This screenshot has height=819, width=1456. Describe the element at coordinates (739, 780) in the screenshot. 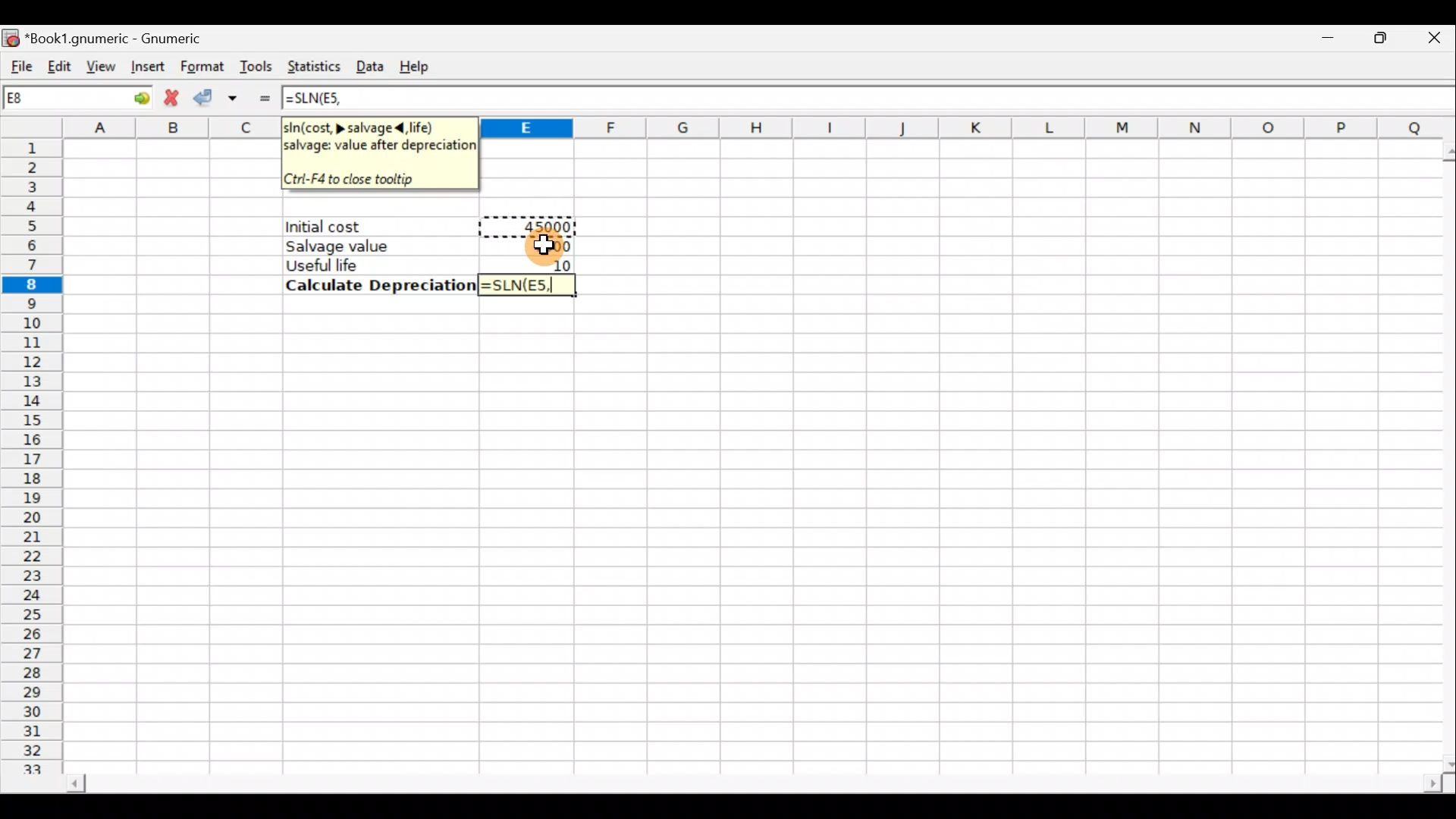

I see `Scroll bar` at that location.